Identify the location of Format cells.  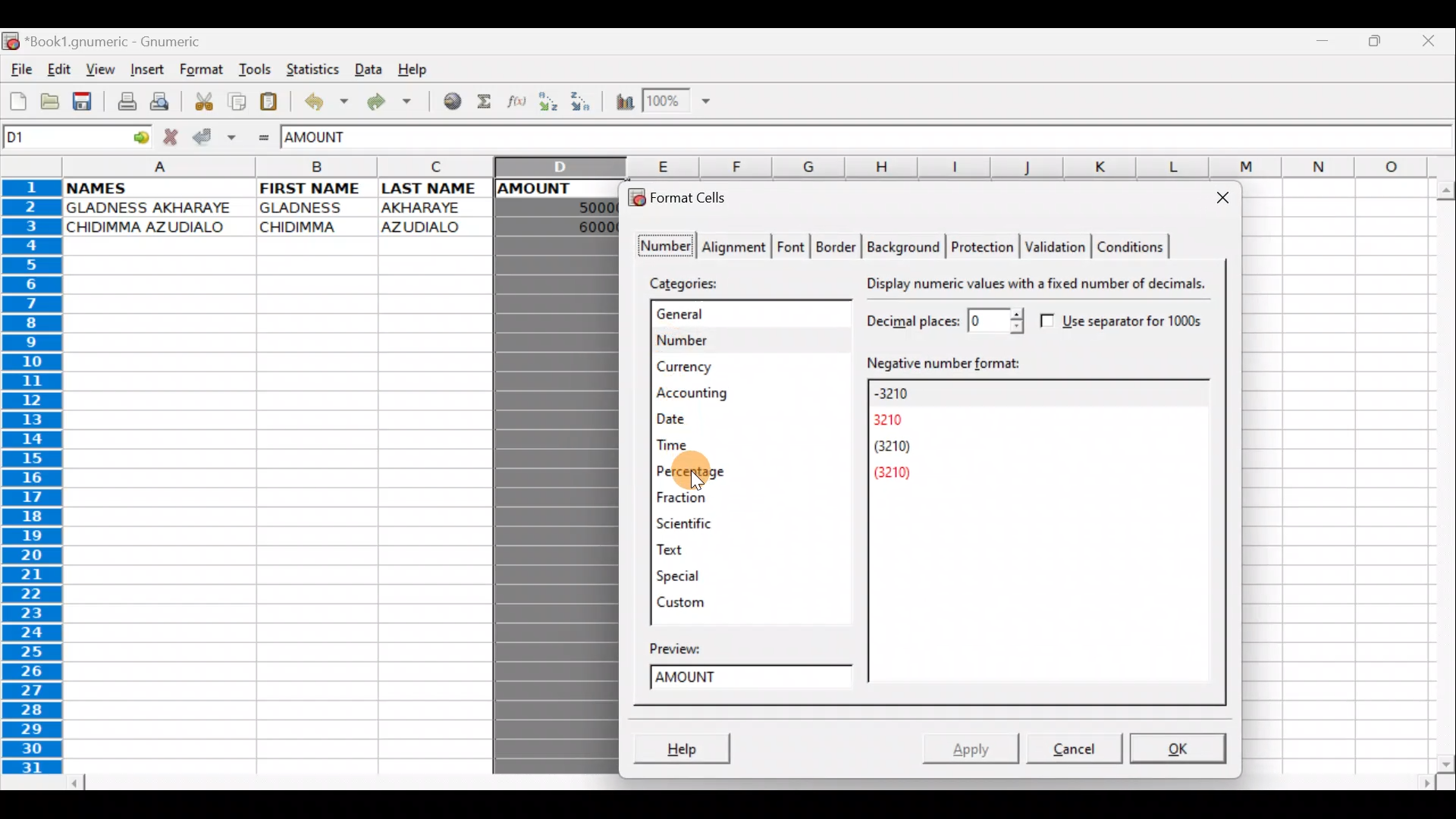
(686, 196).